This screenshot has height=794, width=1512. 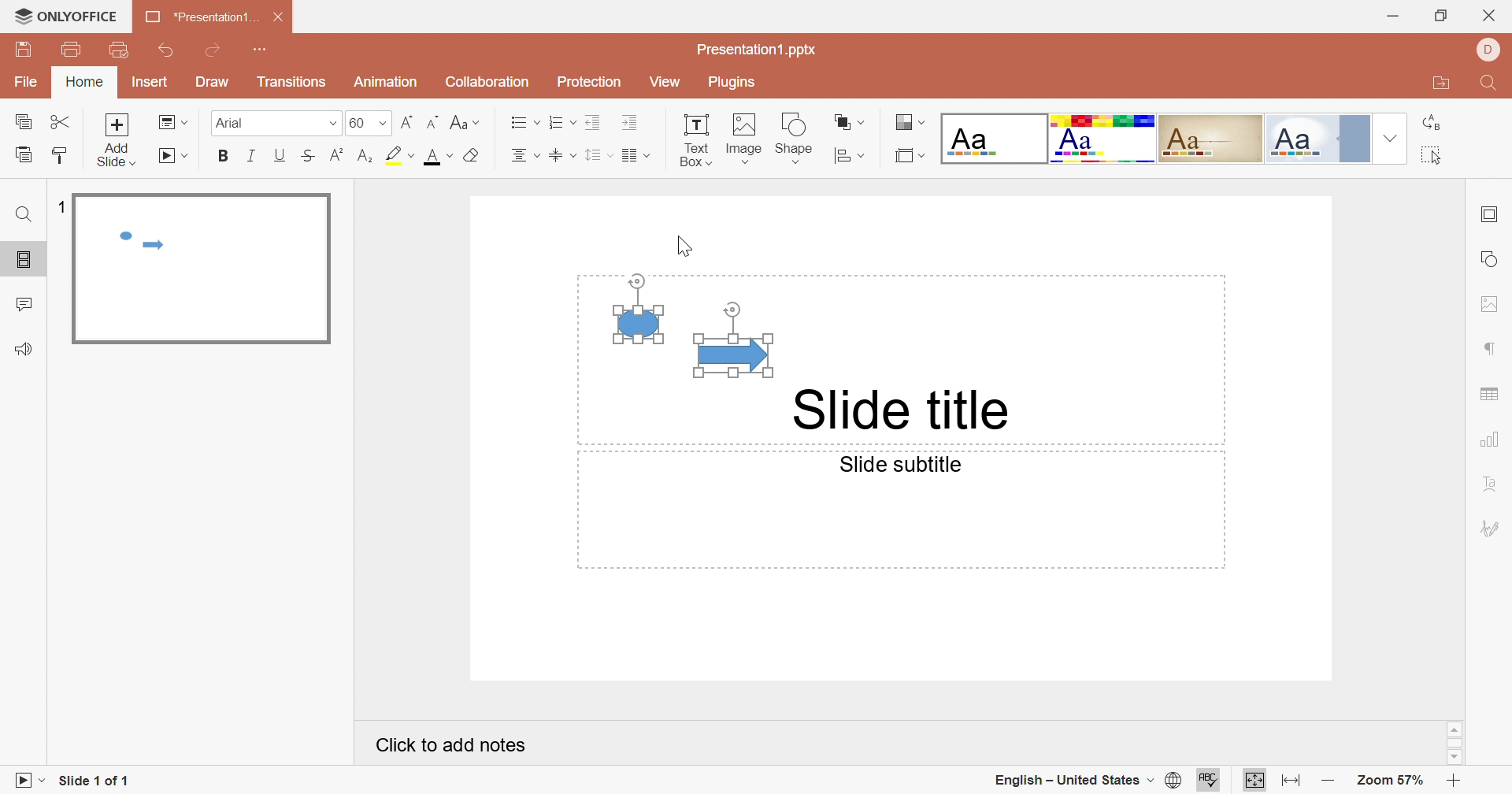 What do you see at coordinates (493, 82) in the screenshot?
I see `Collaboration` at bounding box center [493, 82].